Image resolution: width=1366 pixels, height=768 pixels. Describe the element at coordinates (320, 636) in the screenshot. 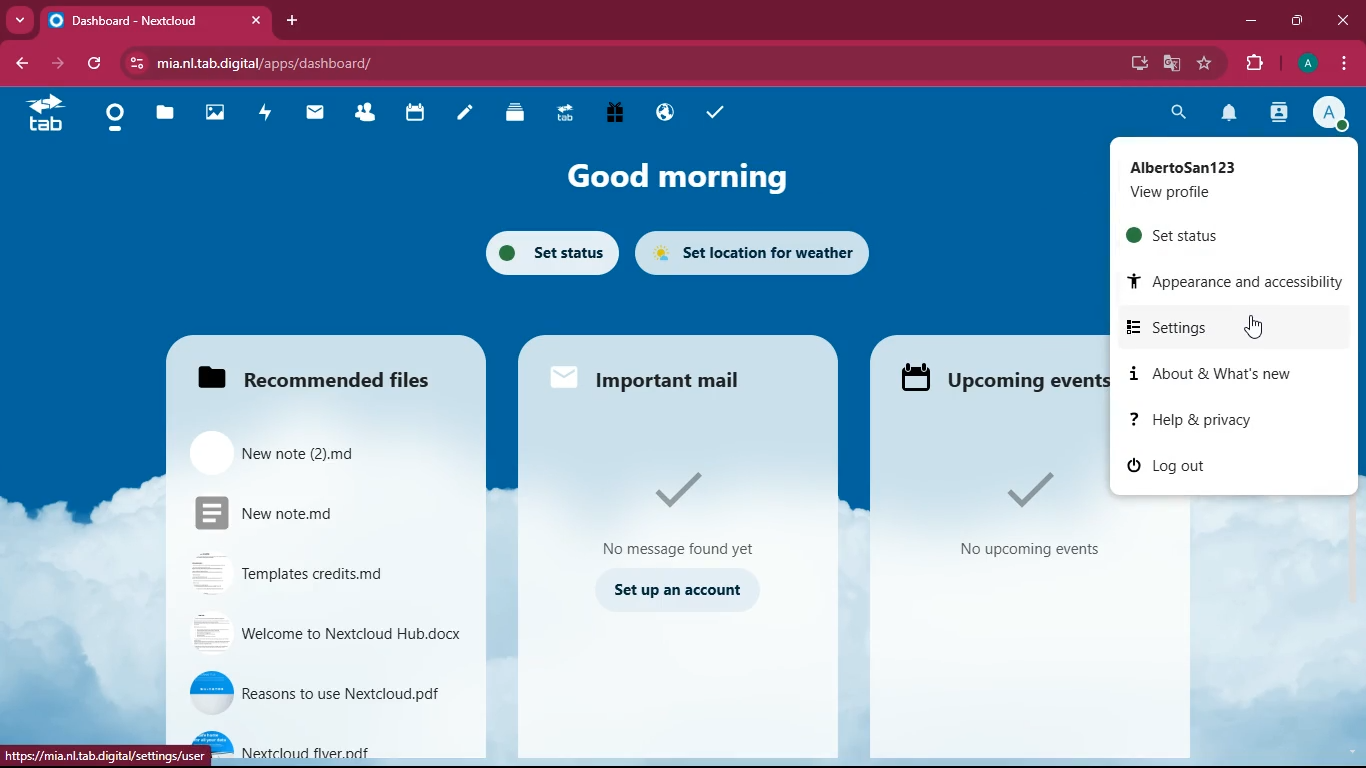

I see `welcome to nextcloud hub.docx` at that location.